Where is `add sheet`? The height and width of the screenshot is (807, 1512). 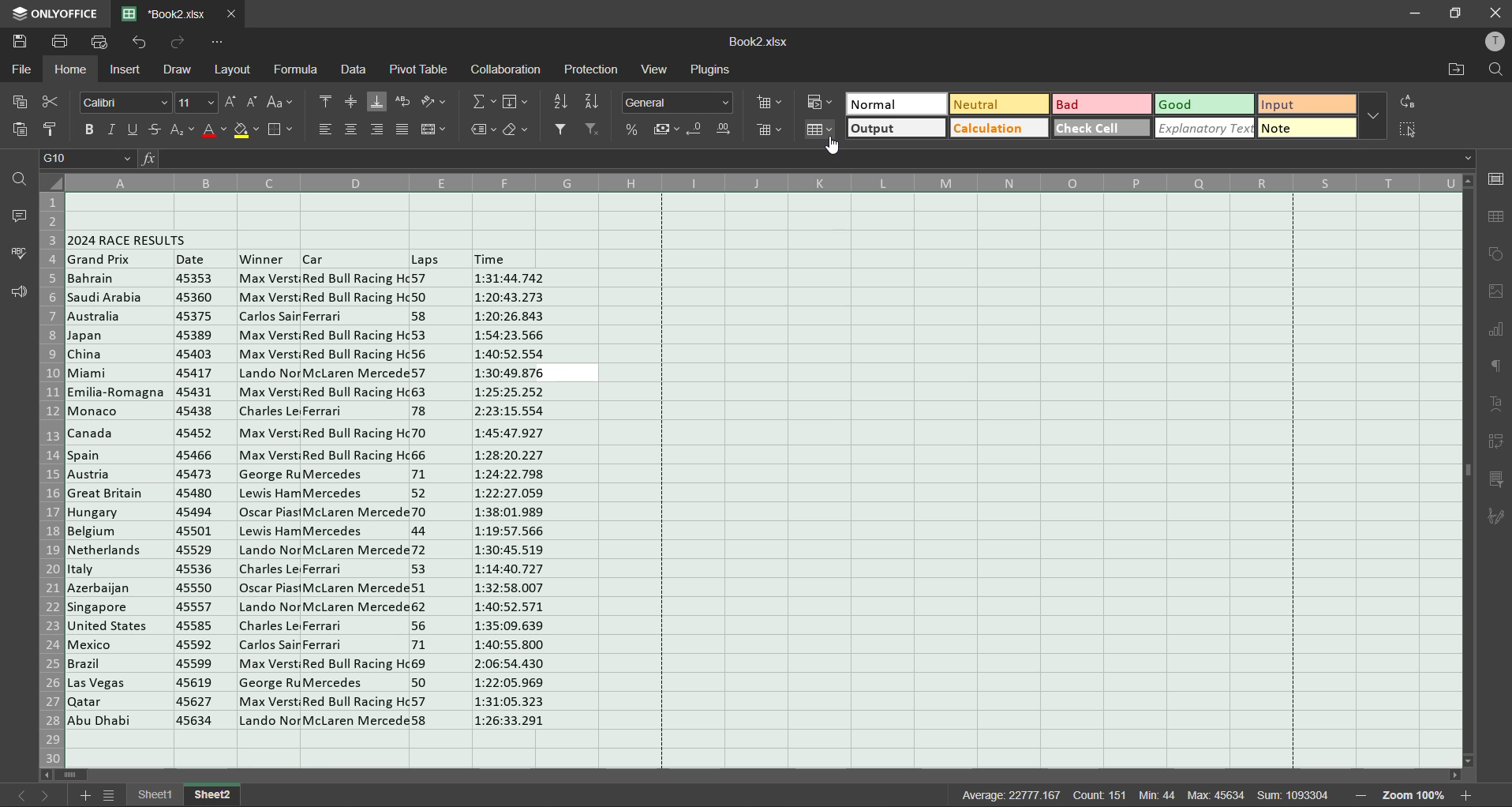 add sheet is located at coordinates (89, 796).